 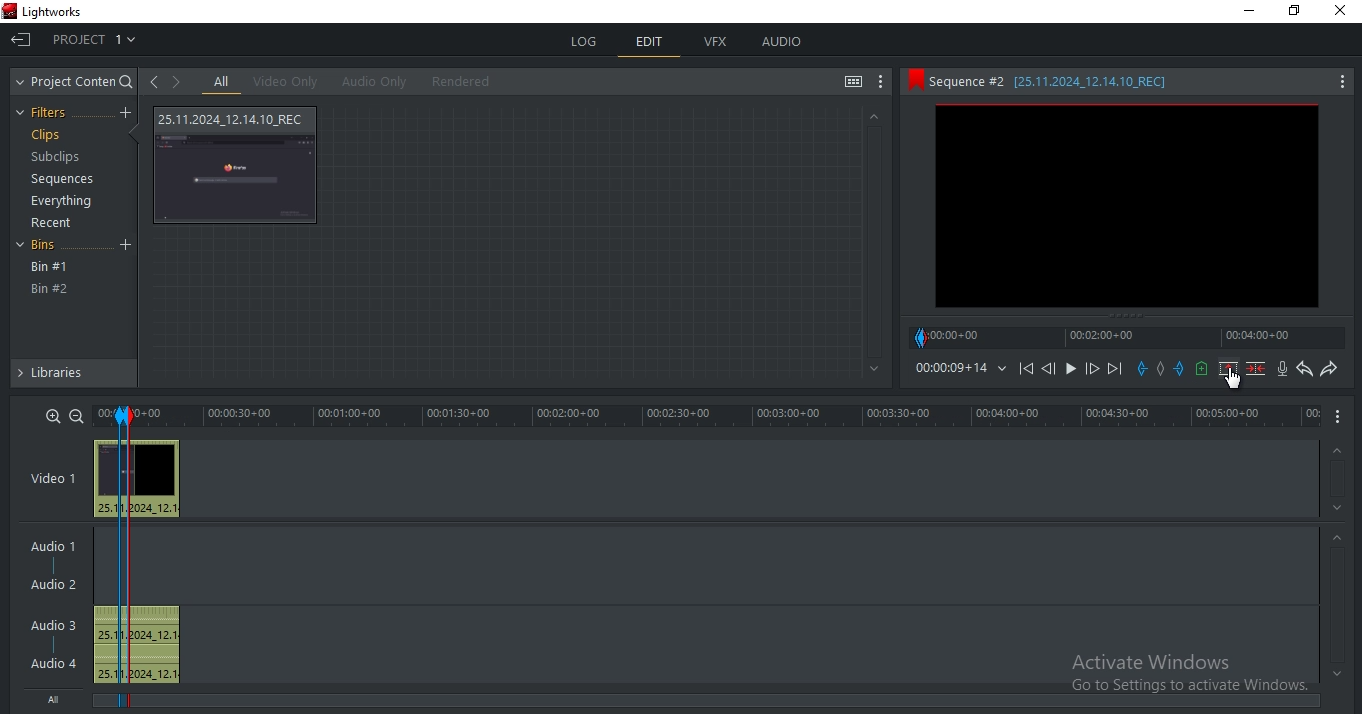 I want to click on All, so click(x=59, y=701).